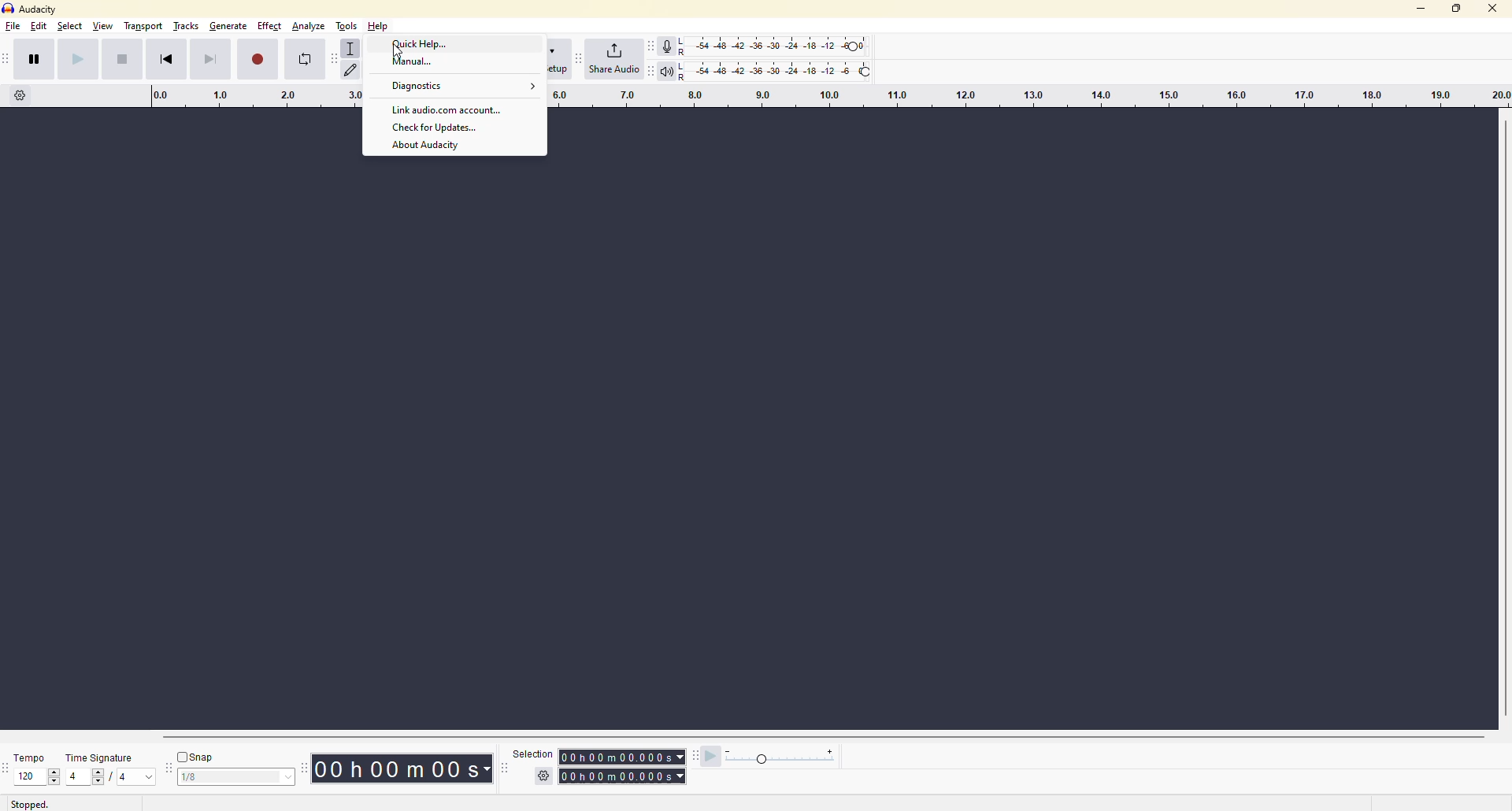 Image resolution: width=1512 pixels, height=811 pixels. What do you see at coordinates (418, 44) in the screenshot?
I see `quick help` at bounding box center [418, 44].